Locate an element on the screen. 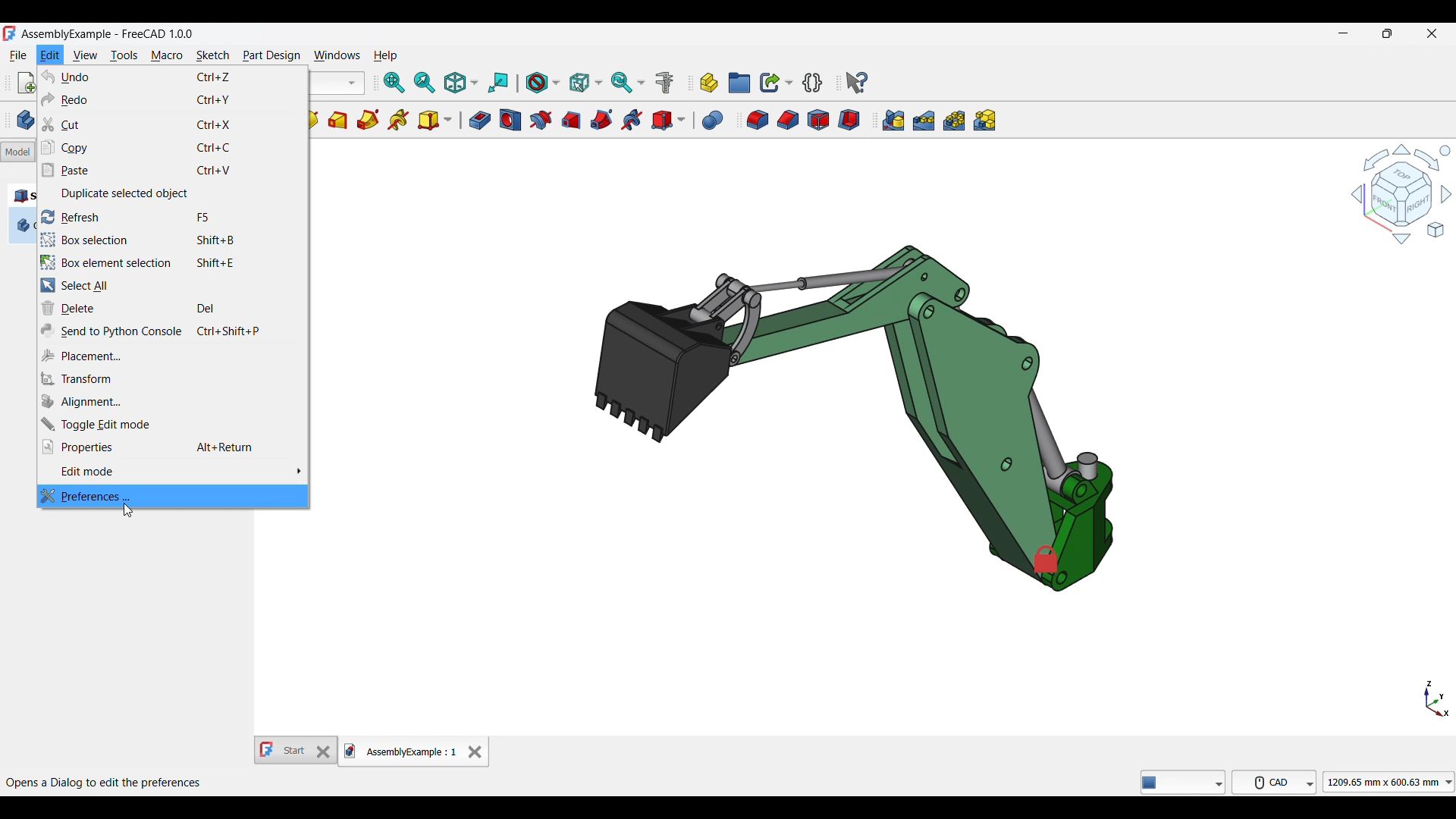 Image resolution: width=1456 pixels, height=819 pixels. Create a variable set is located at coordinates (813, 83).